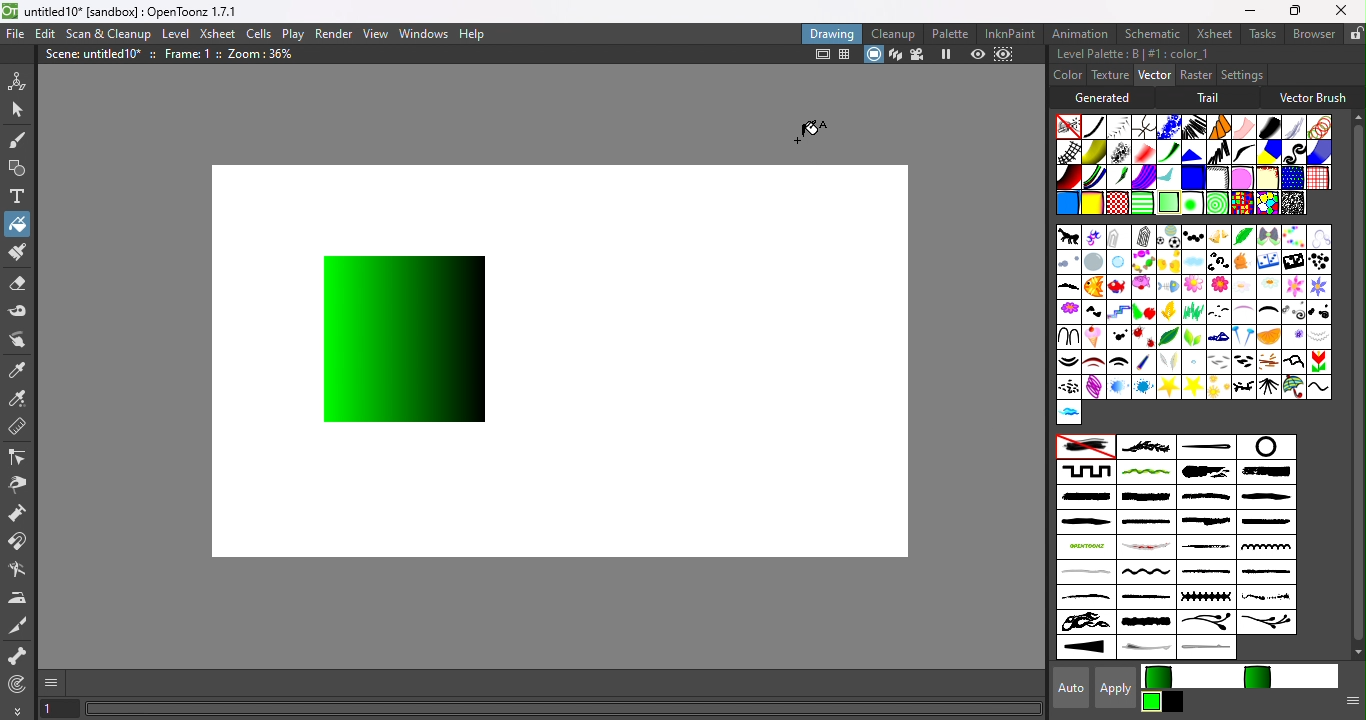 Image resolution: width=1366 pixels, height=720 pixels. Describe the element at coordinates (1206, 624) in the screenshot. I see `teadrop_flowers1` at that location.